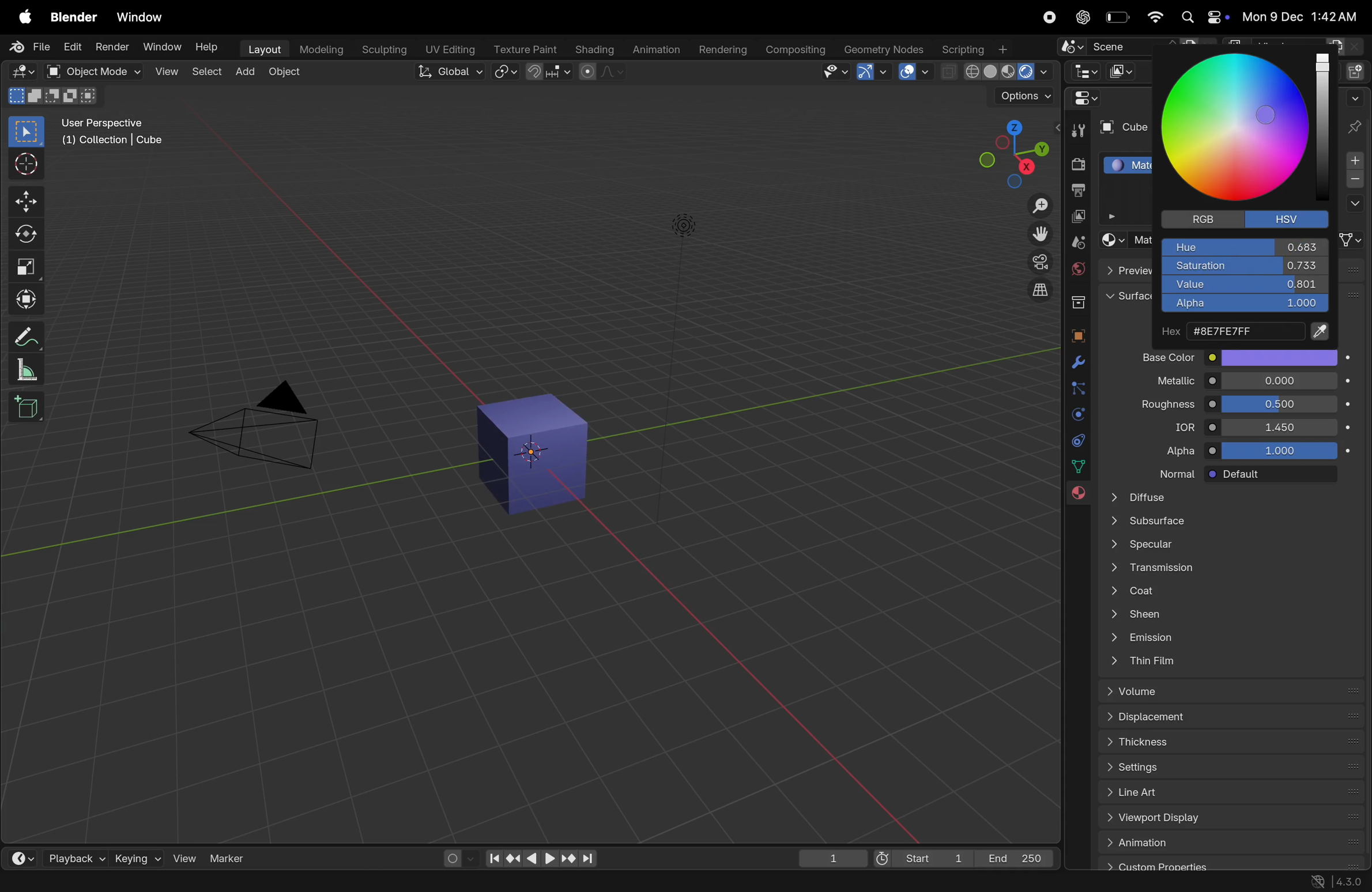  Describe the element at coordinates (36, 880) in the screenshot. I see `set active` at that location.